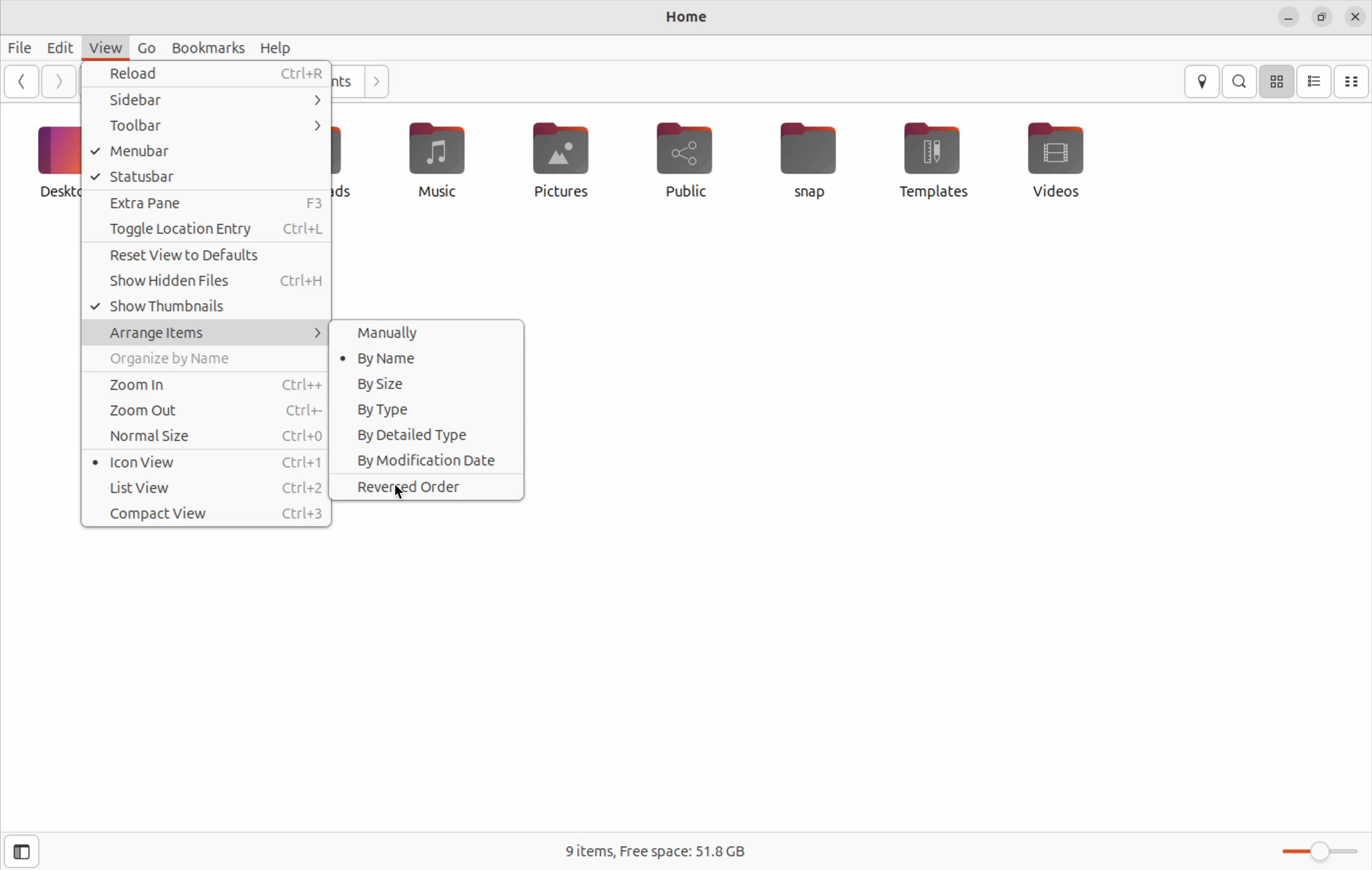 The height and width of the screenshot is (870, 1372). What do you see at coordinates (203, 410) in the screenshot?
I see `zoom out` at bounding box center [203, 410].